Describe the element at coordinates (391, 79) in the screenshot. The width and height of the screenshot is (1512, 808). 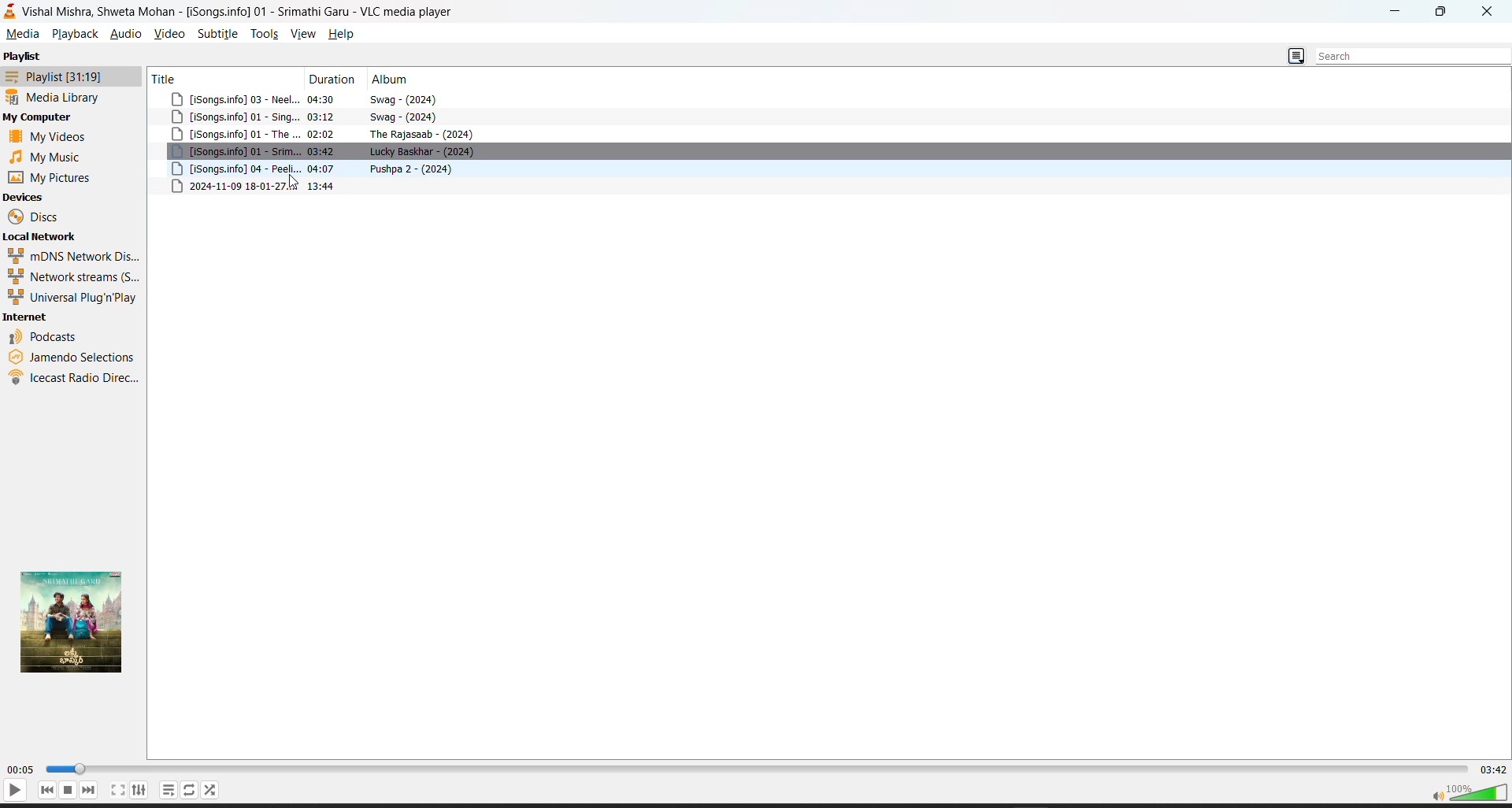
I see `album` at that location.